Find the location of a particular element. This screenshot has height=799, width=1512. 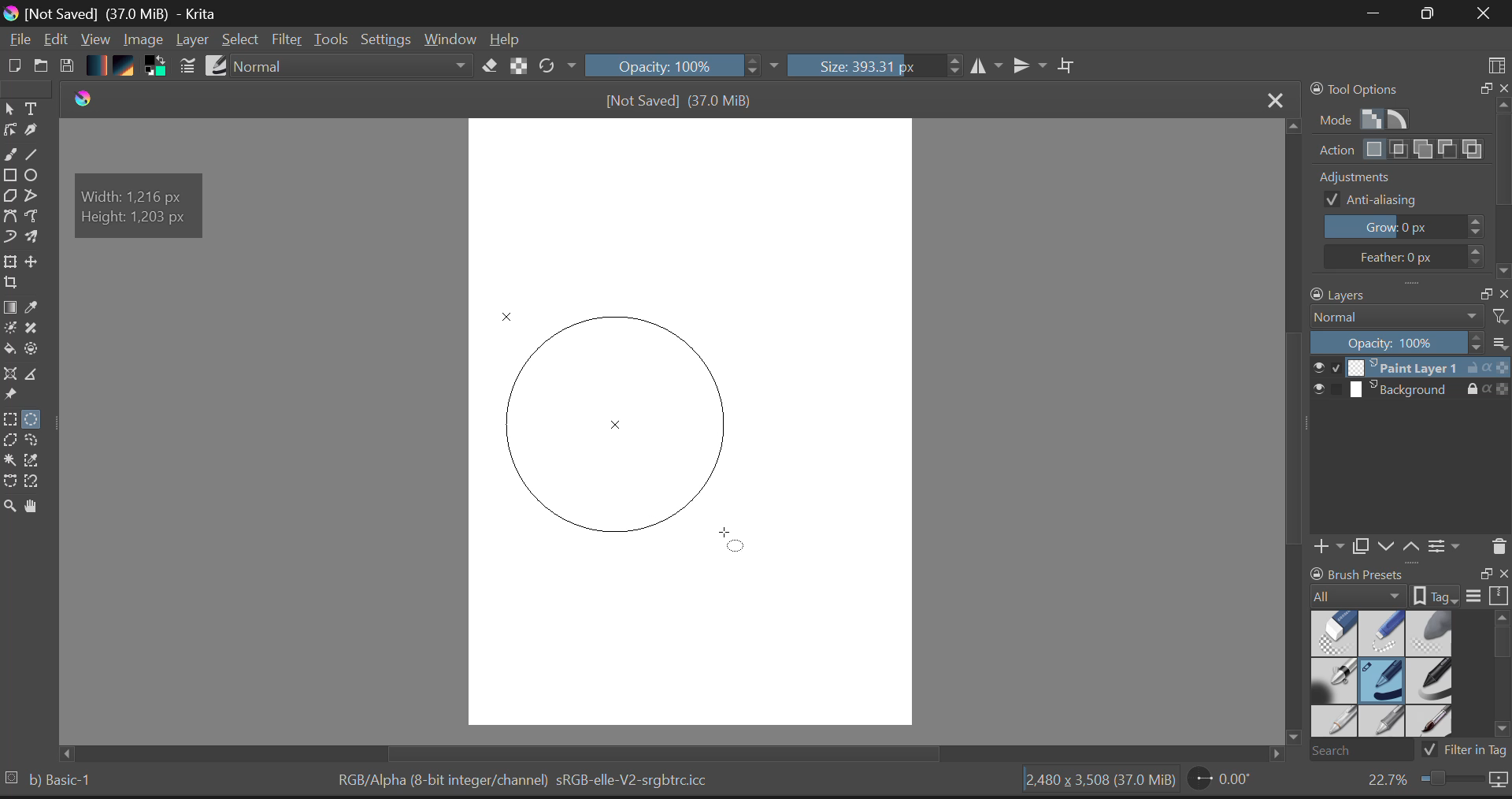

Gradient Fill is located at coordinates (10, 309).